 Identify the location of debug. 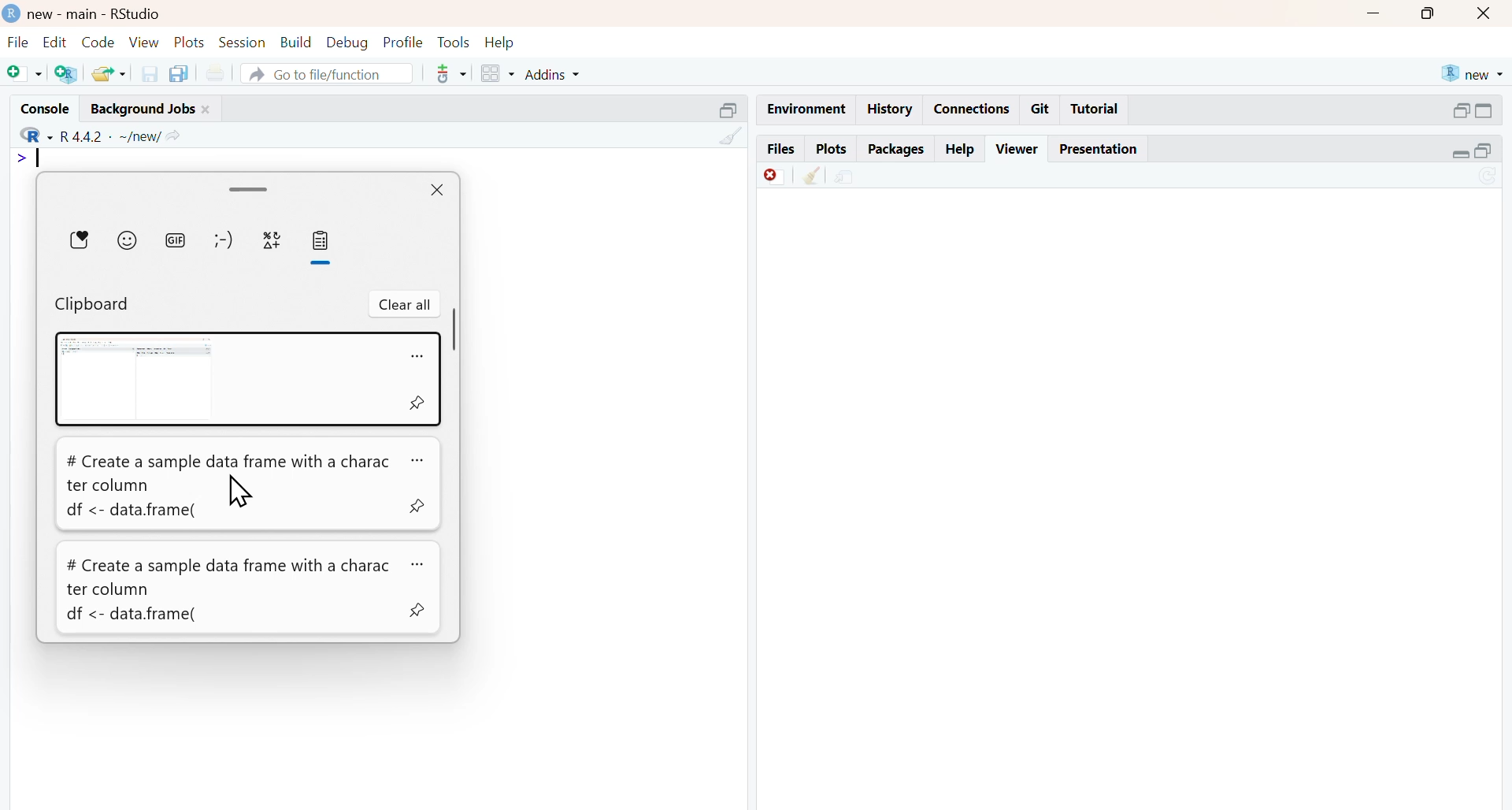
(347, 43).